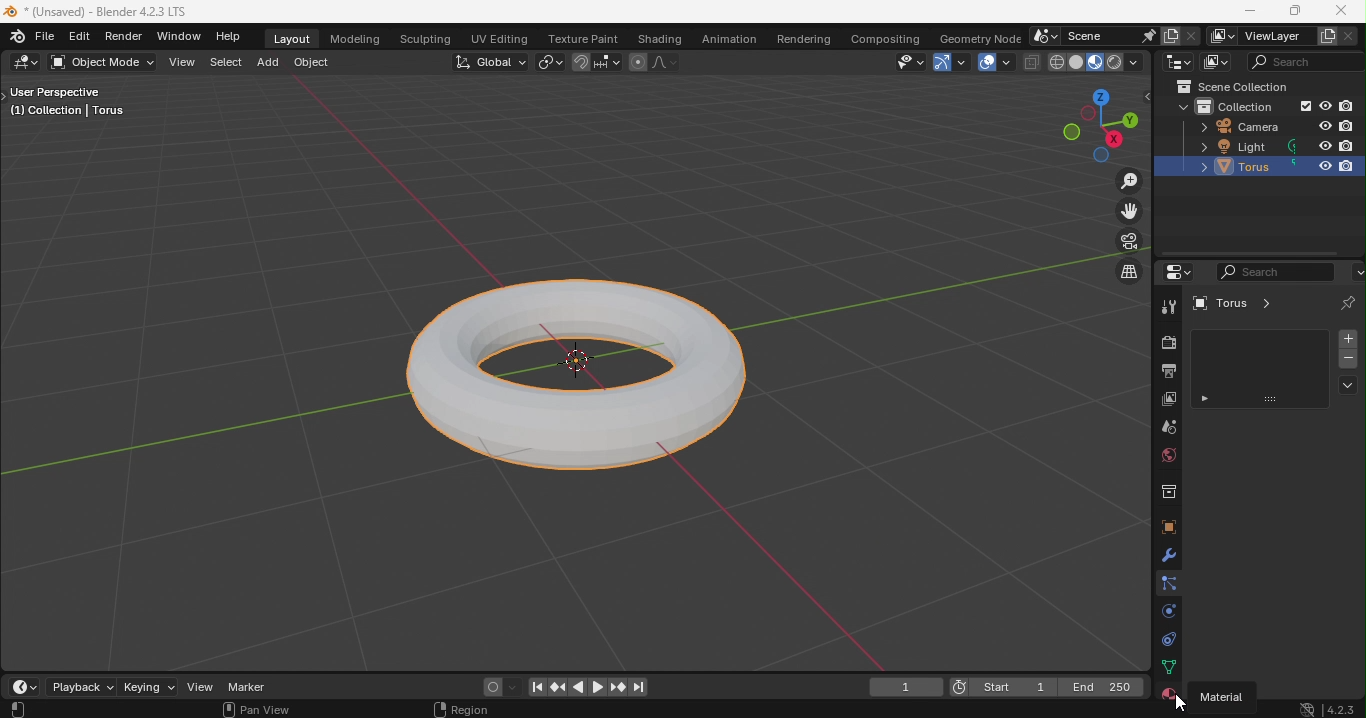  I want to click on Drag down, so click(1266, 399).